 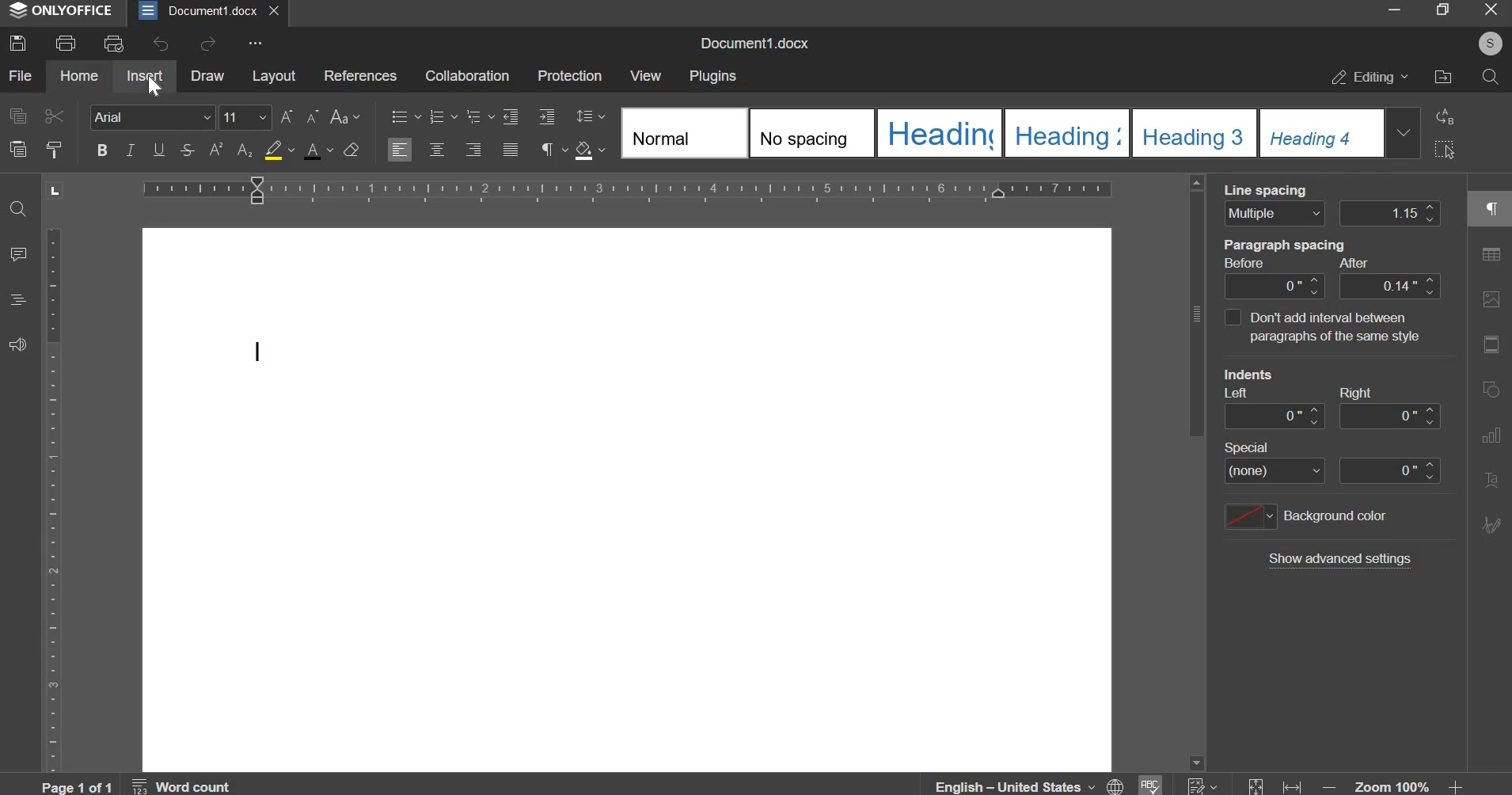 I want to click on interval between paragraphs, so click(x=1231, y=318).